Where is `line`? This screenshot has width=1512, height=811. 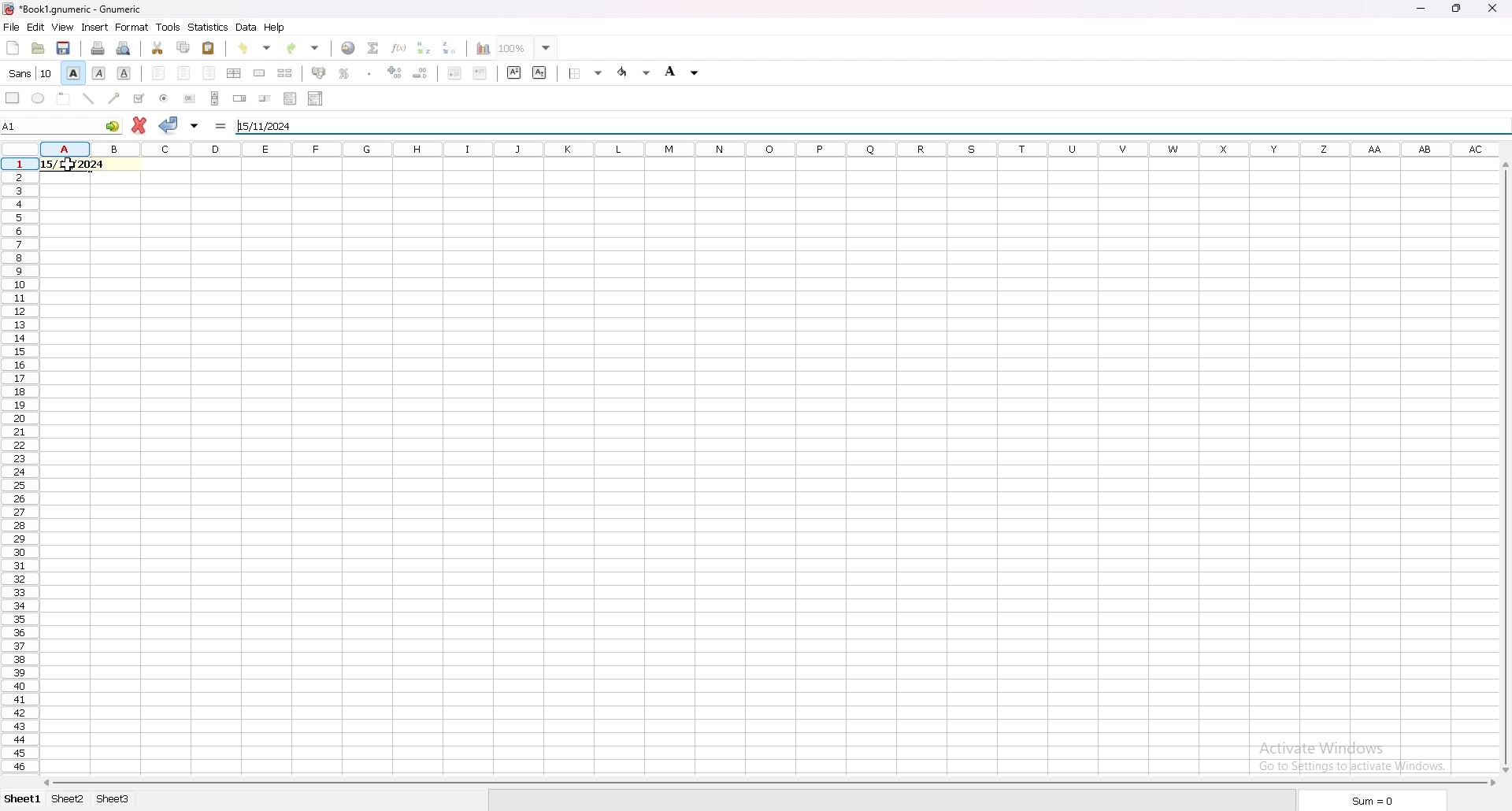 line is located at coordinates (90, 98).